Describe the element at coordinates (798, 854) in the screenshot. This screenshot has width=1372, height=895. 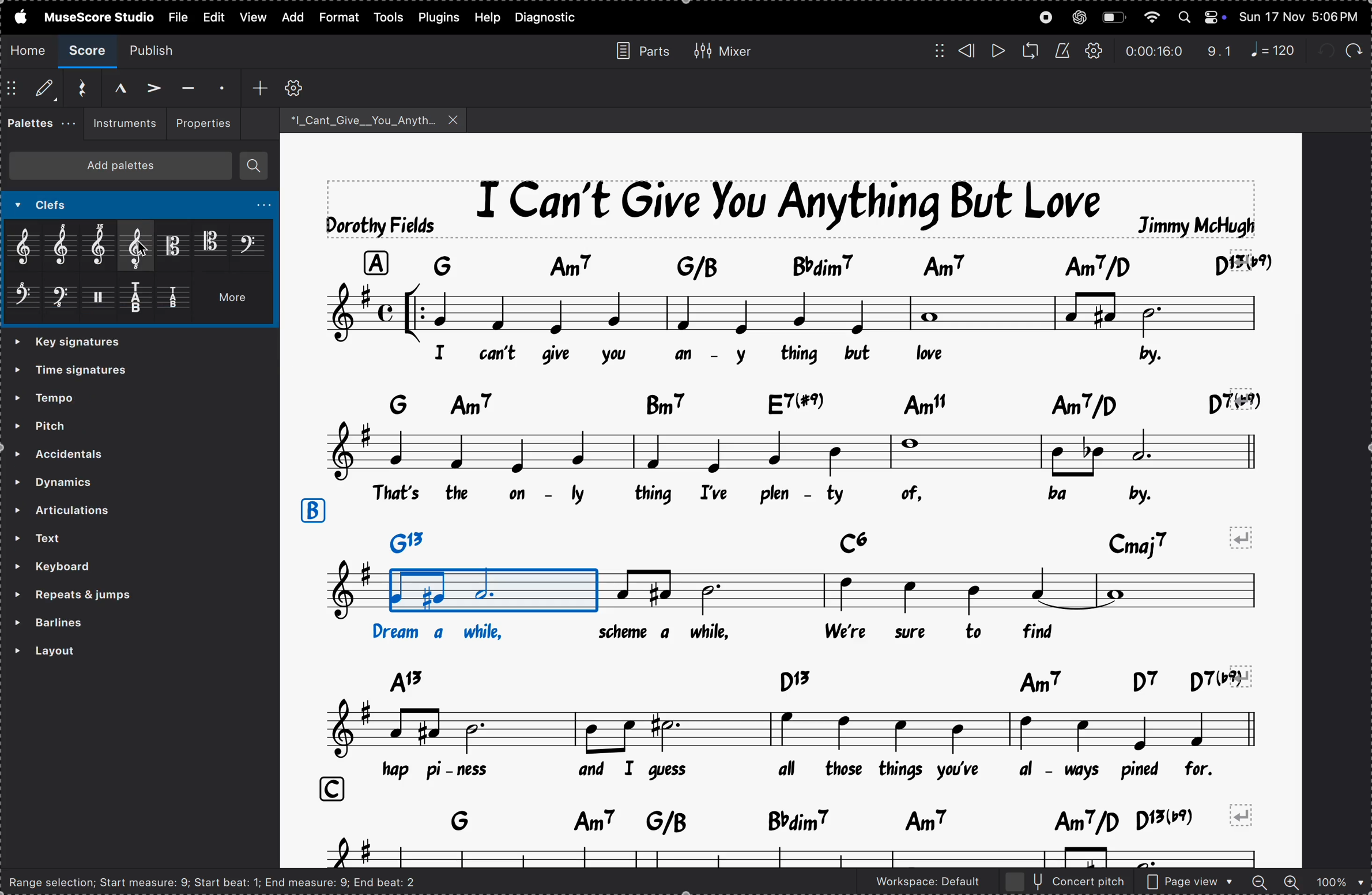
I see `notes` at that location.